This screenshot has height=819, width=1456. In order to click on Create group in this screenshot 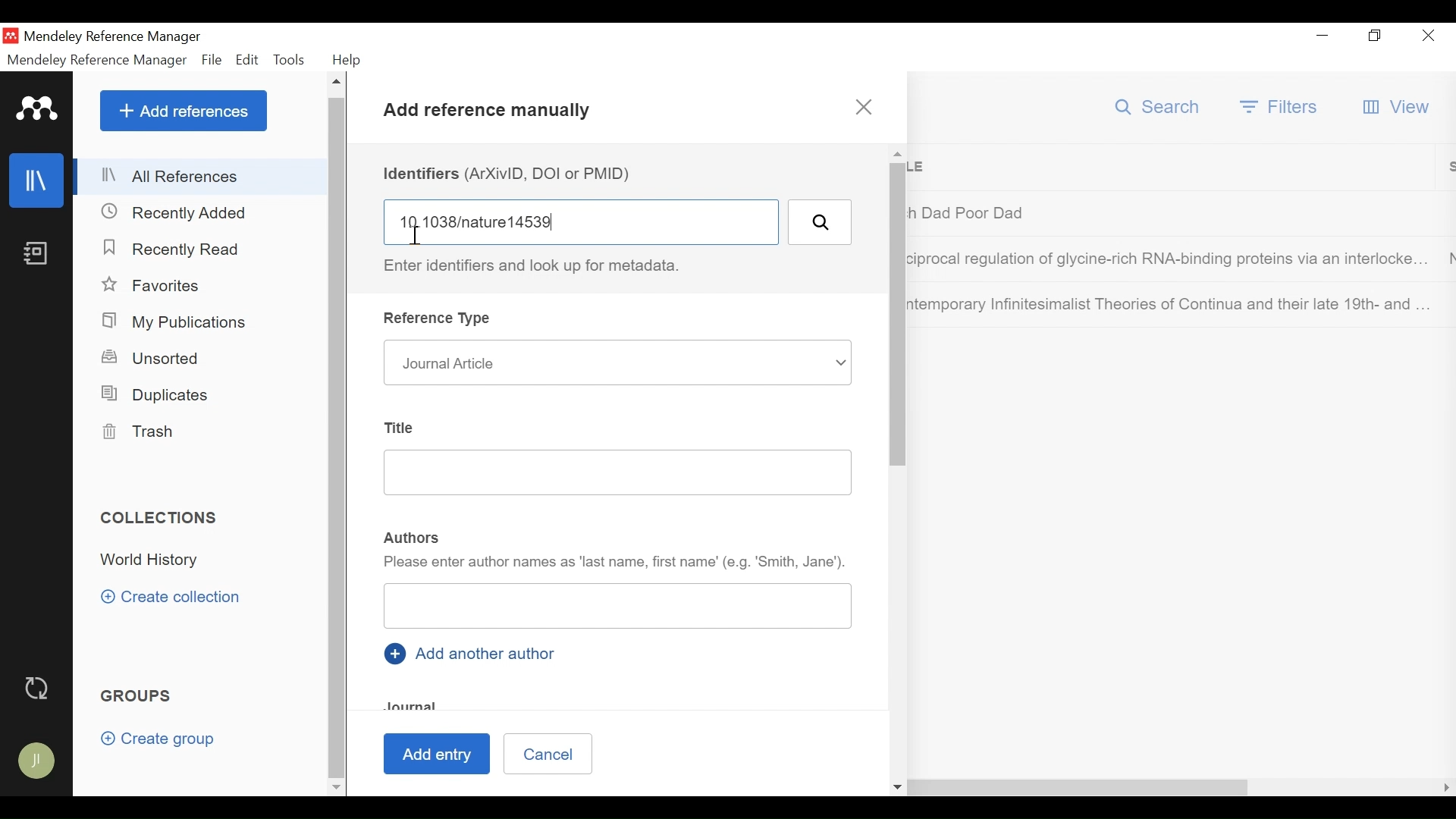, I will do `click(161, 739)`.